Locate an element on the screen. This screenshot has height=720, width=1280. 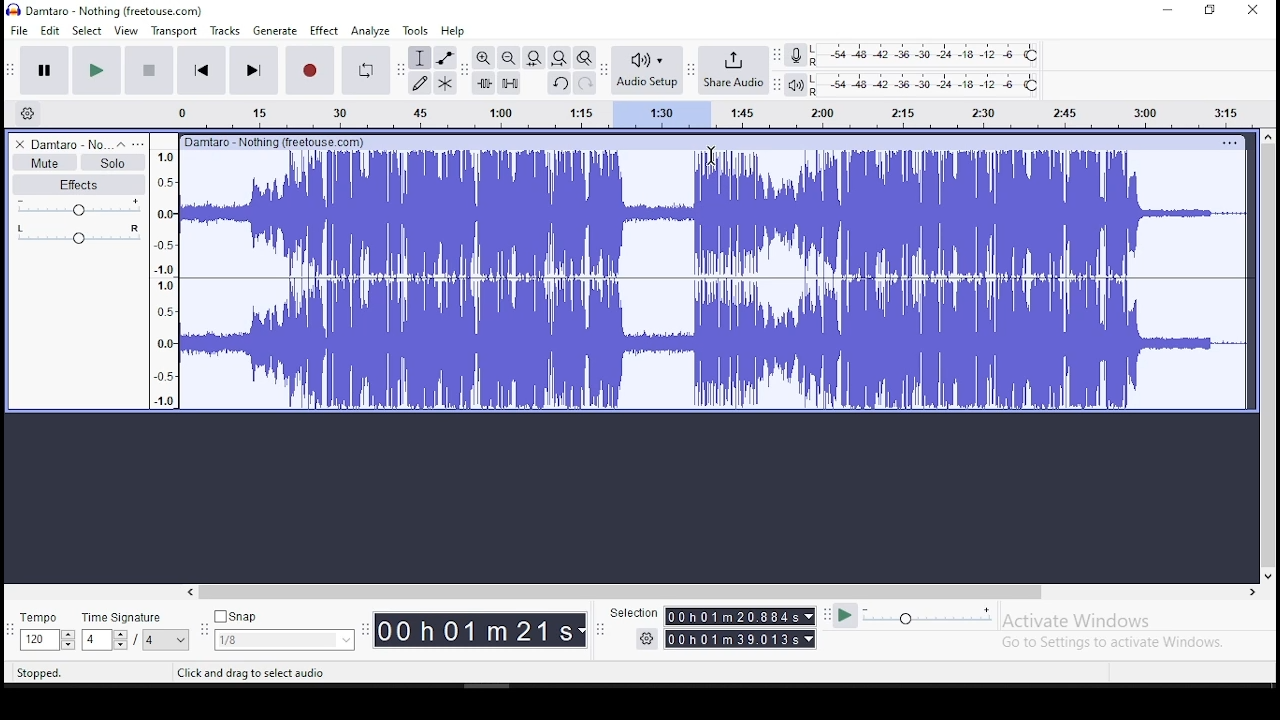
audio track is located at coordinates (713, 344).